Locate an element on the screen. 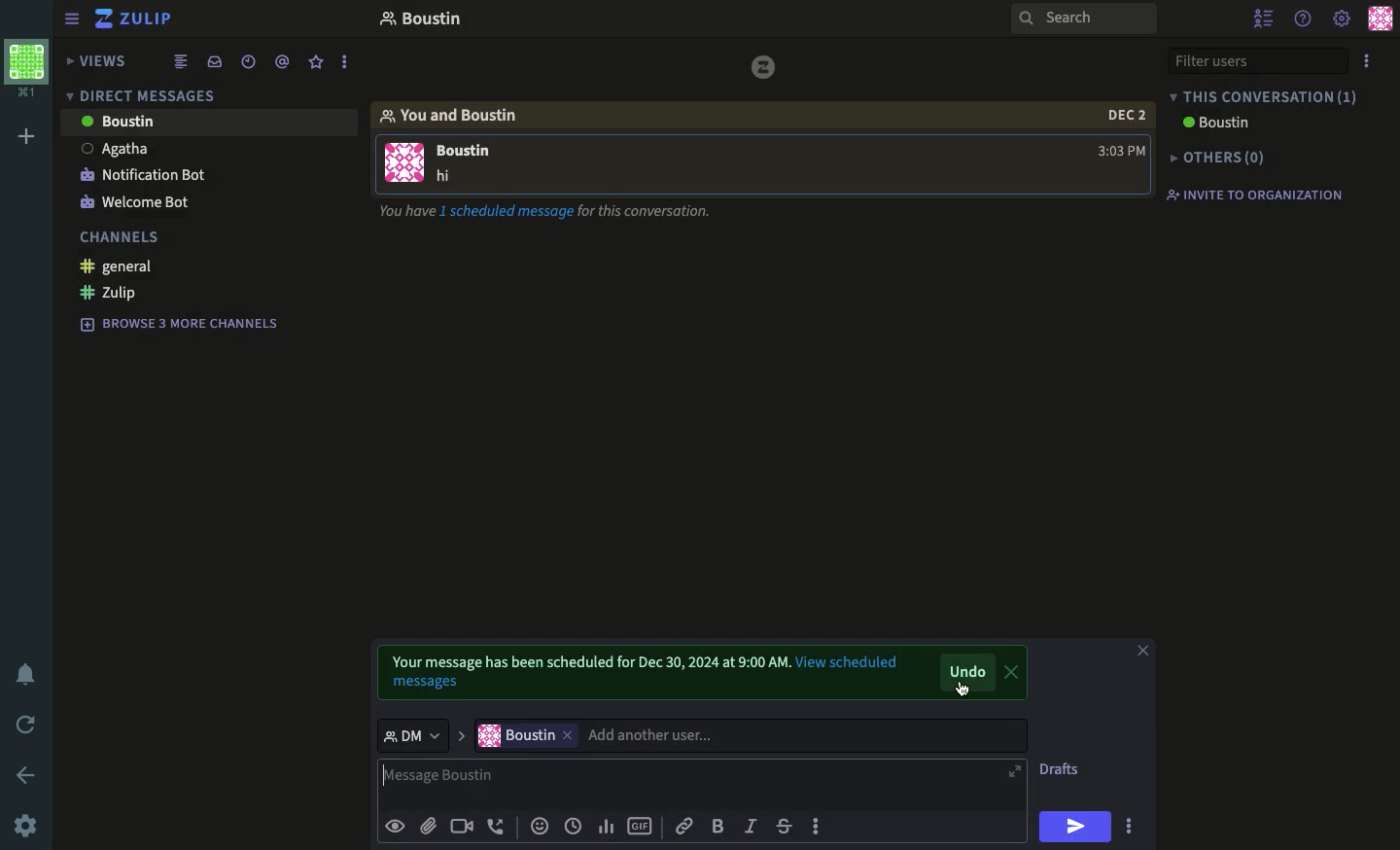  close is located at coordinates (1011, 673).